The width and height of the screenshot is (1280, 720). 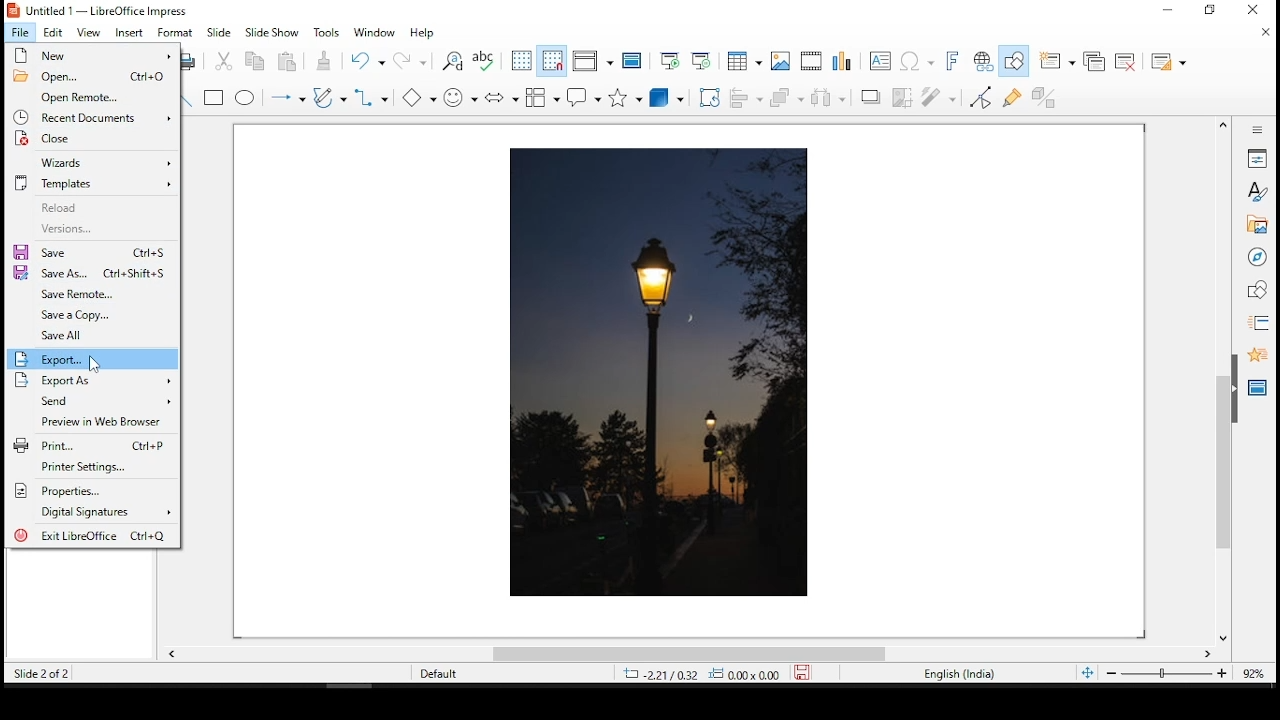 What do you see at coordinates (273, 31) in the screenshot?
I see `slide show` at bounding box center [273, 31].